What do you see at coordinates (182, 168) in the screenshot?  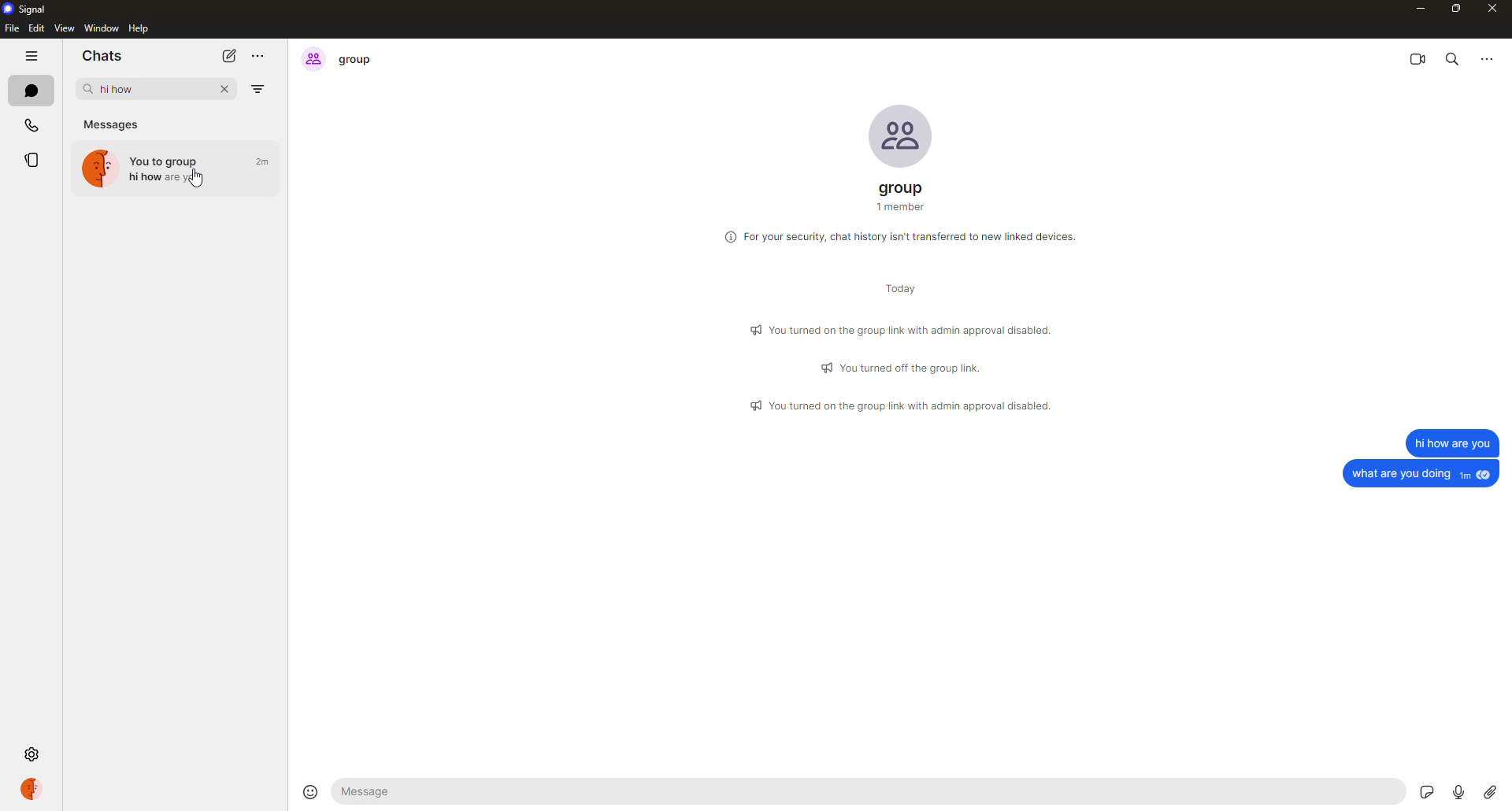 I see `hi how ` at bounding box center [182, 168].